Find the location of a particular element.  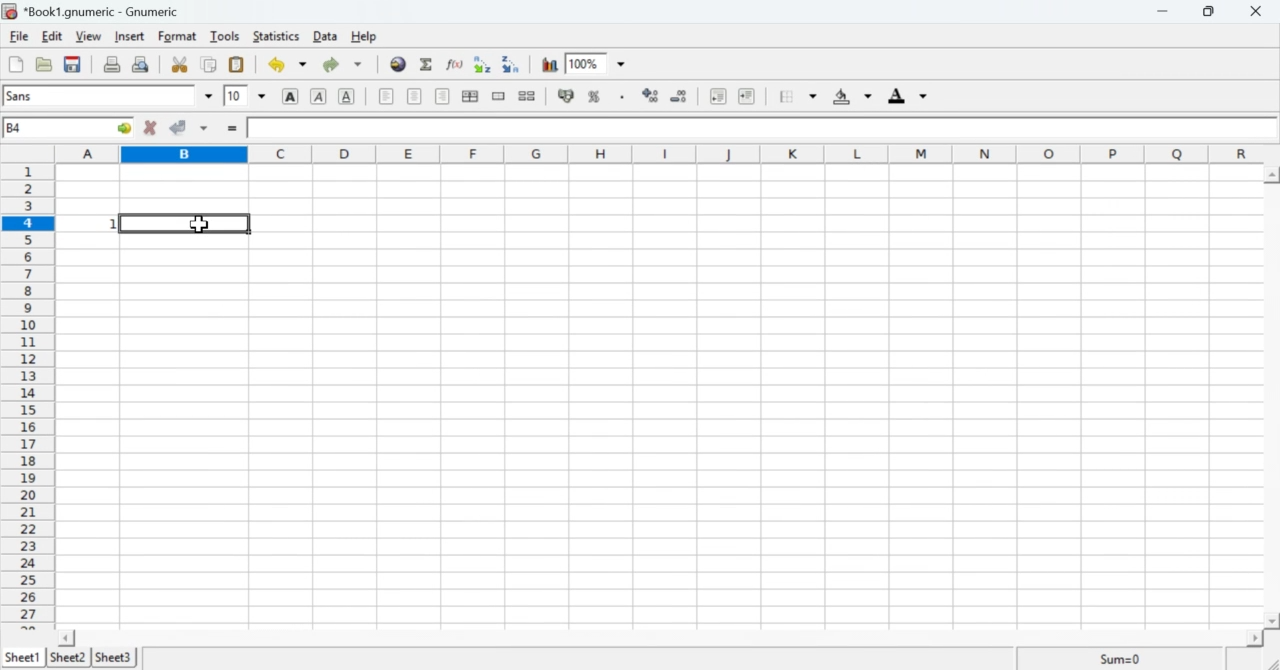

Cancel change is located at coordinates (148, 129).